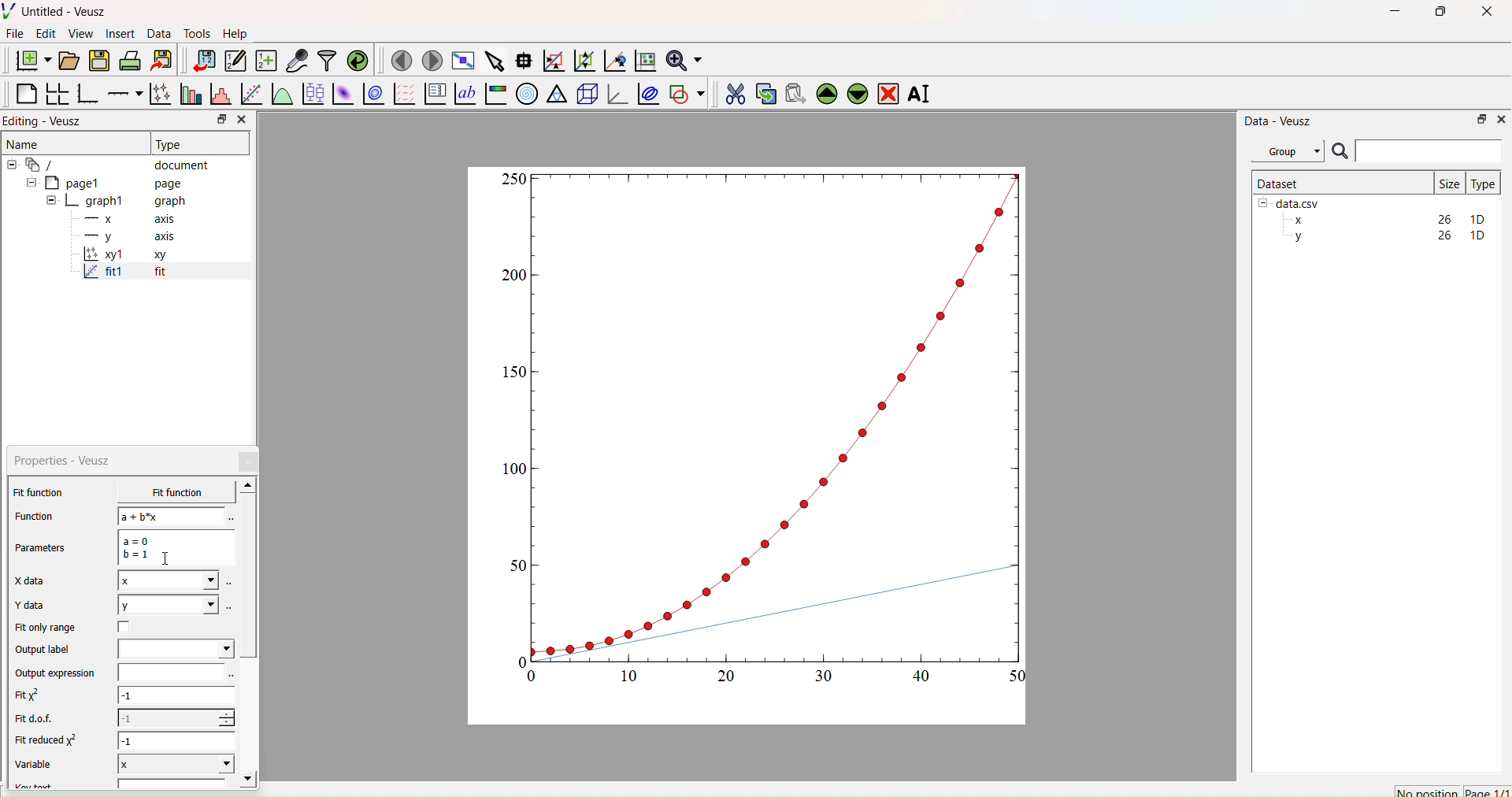  What do you see at coordinates (200, 61) in the screenshot?
I see `Import data` at bounding box center [200, 61].